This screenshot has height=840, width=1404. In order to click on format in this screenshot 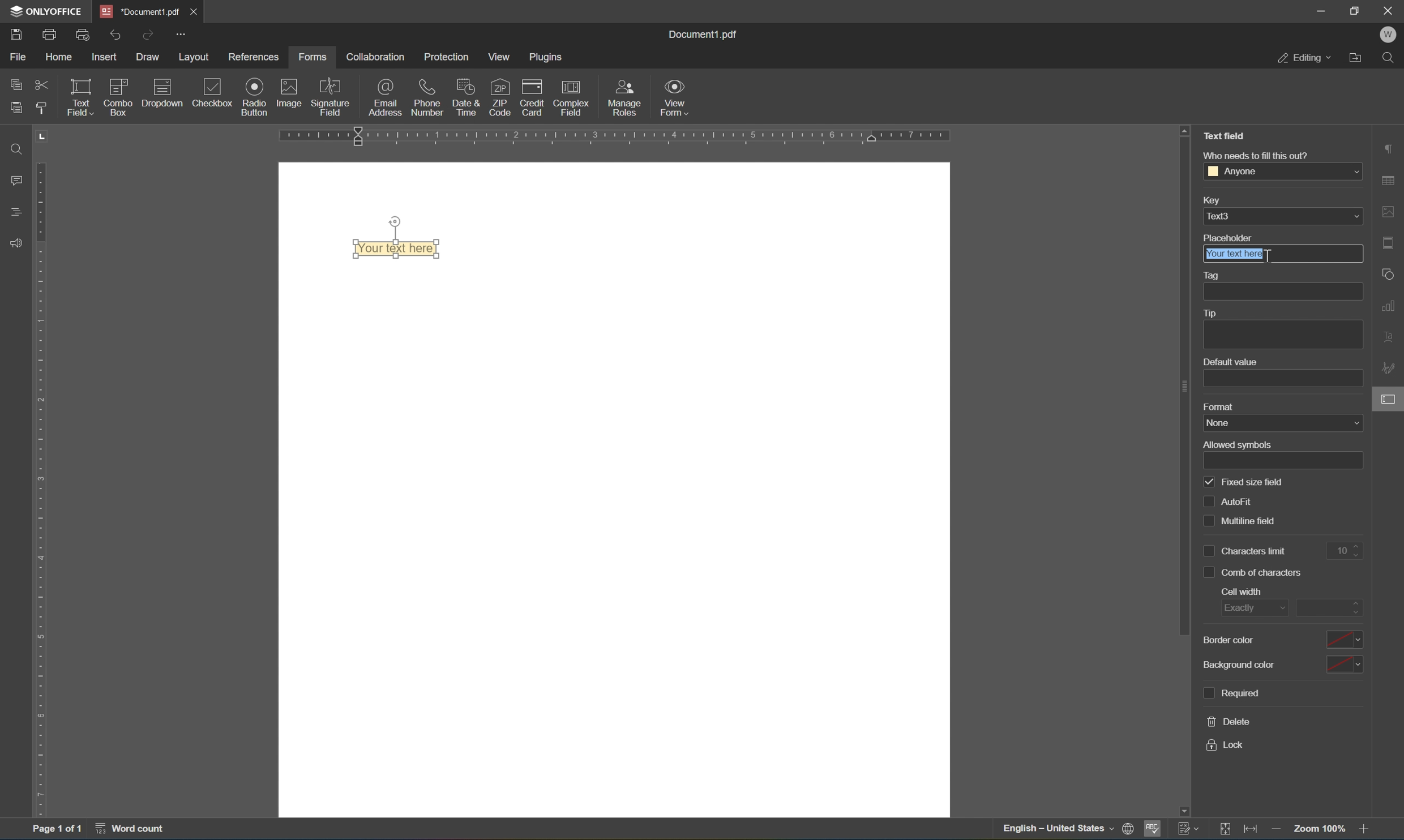, I will do `click(1223, 407)`.